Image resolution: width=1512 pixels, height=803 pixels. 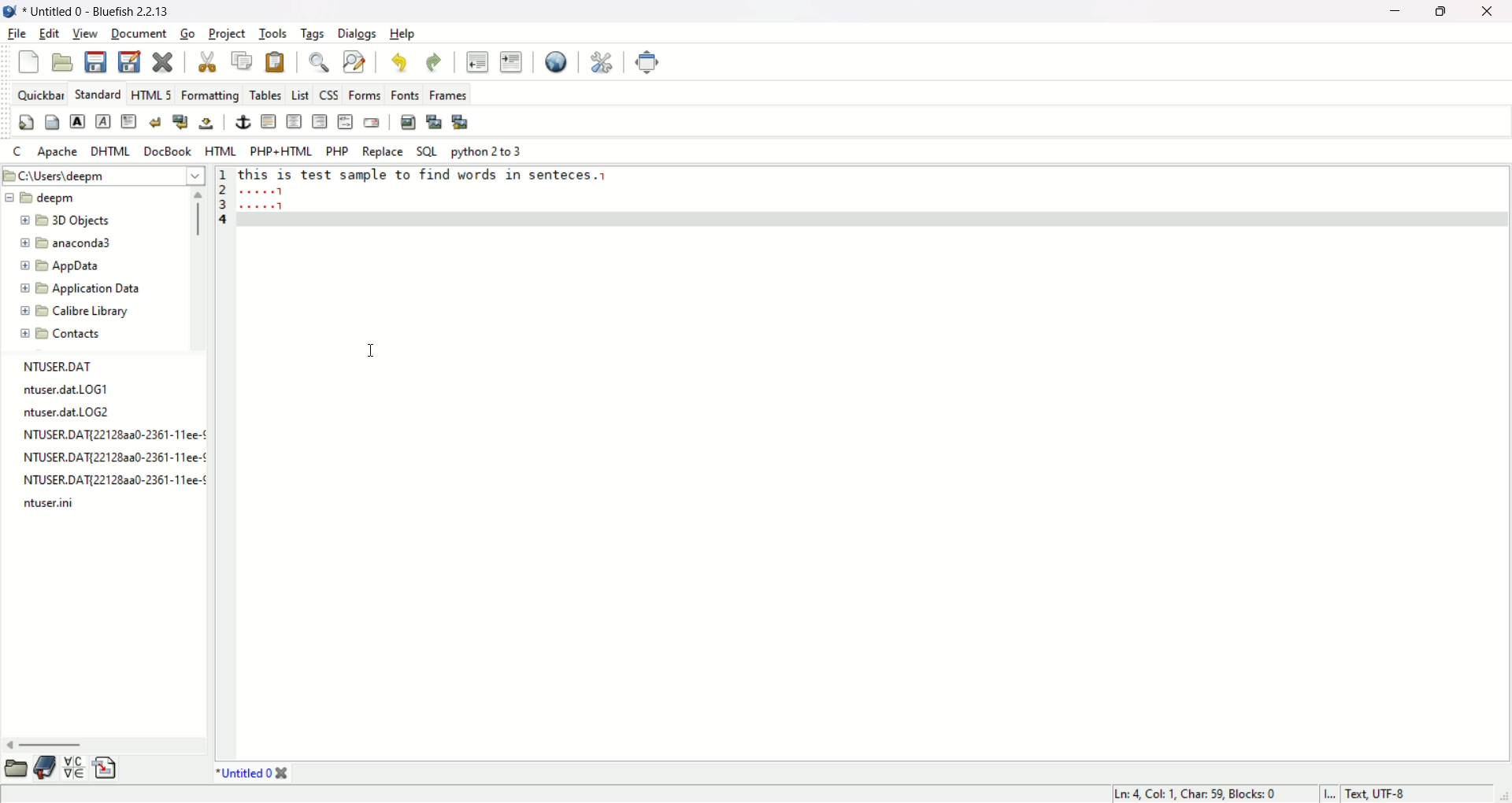 I want to click on ntuser.dat.LOG2, so click(x=110, y=413).